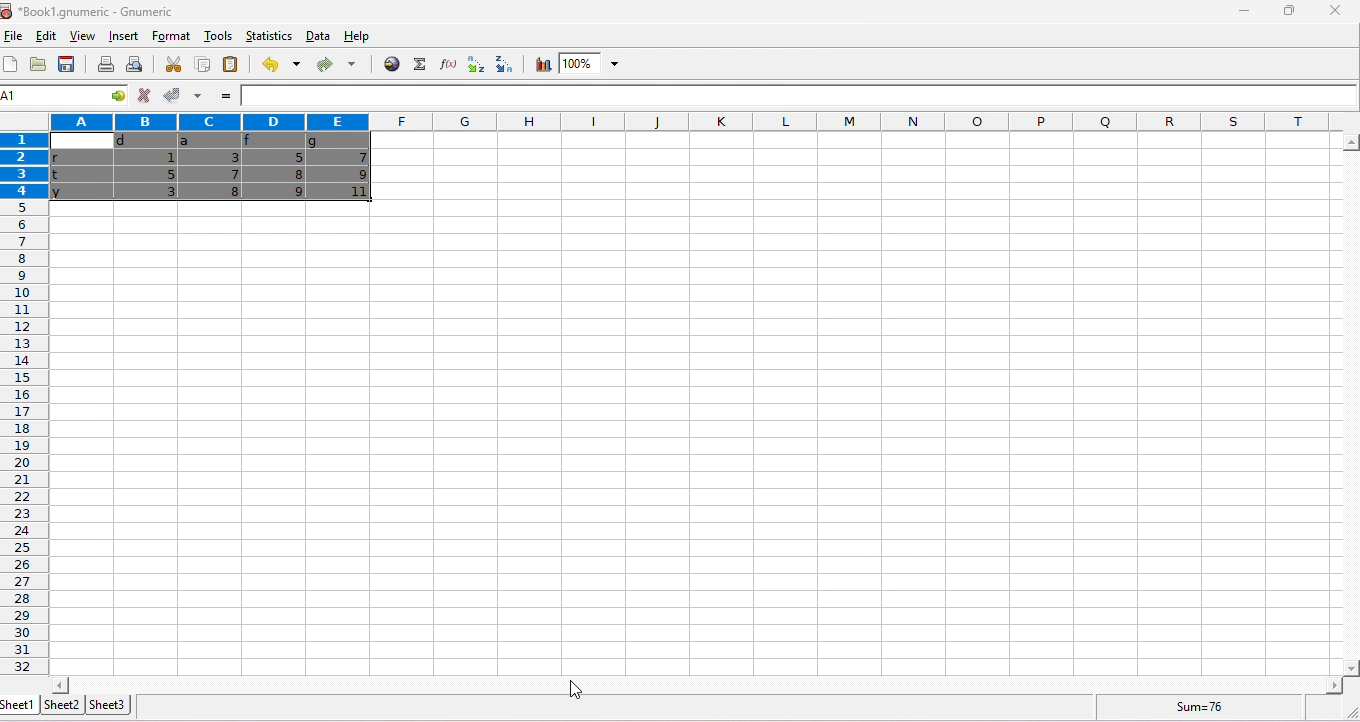 The width and height of the screenshot is (1360, 722). What do you see at coordinates (217, 37) in the screenshot?
I see `tools` at bounding box center [217, 37].